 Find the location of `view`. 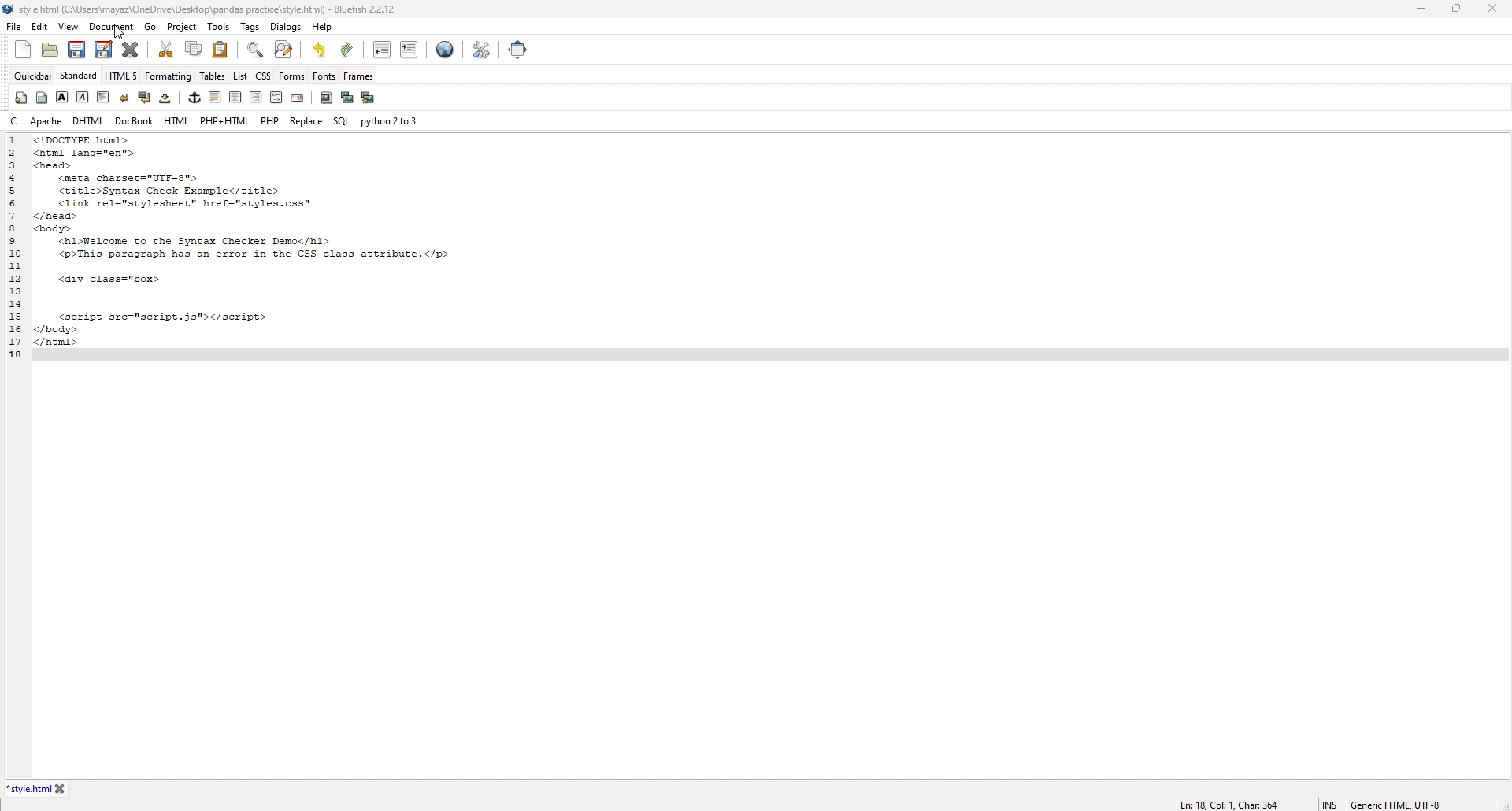

view is located at coordinates (69, 28).